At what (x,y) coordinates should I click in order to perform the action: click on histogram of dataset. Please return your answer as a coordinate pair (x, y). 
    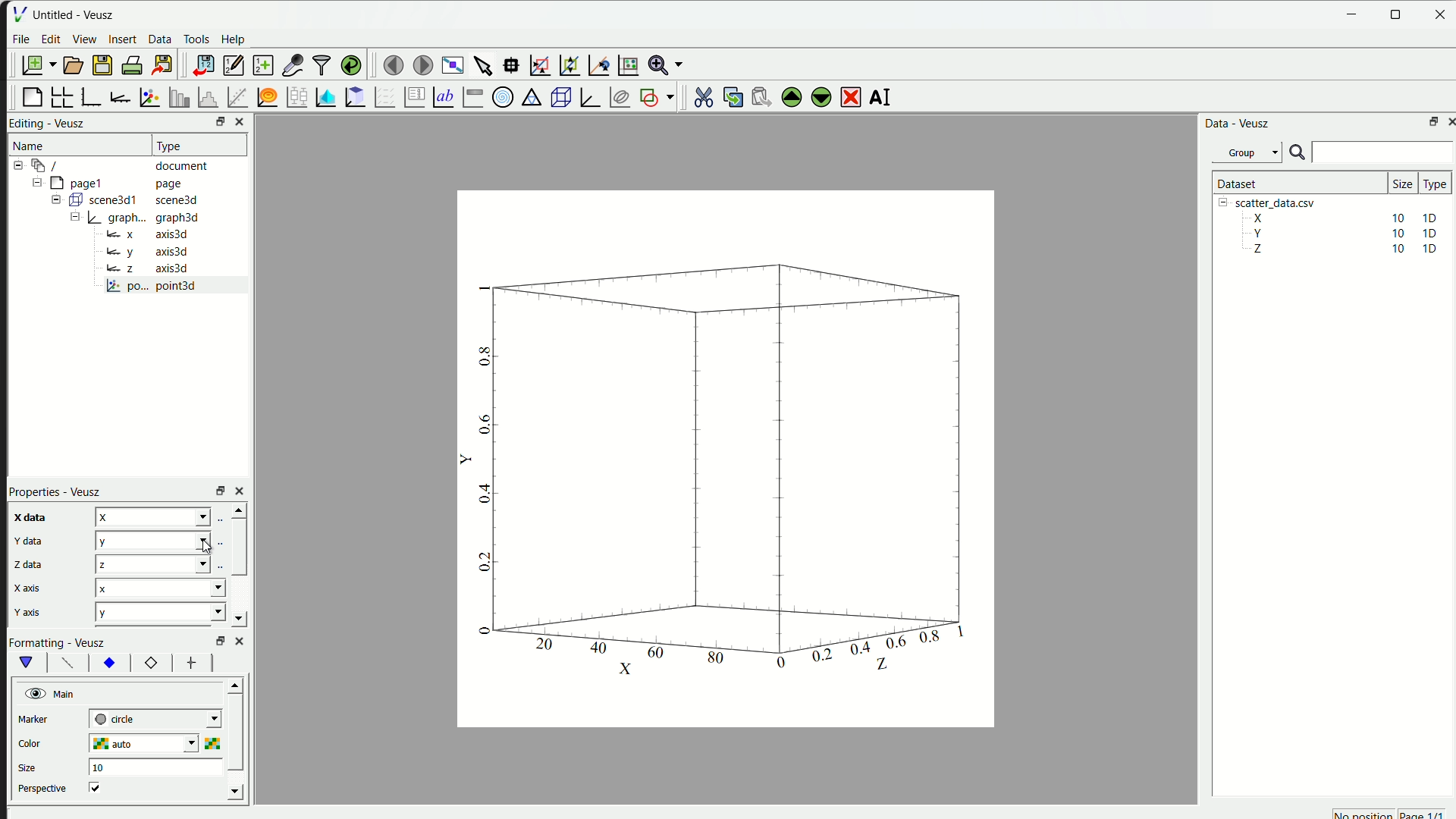
    Looking at the image, I should click on (205, 97).